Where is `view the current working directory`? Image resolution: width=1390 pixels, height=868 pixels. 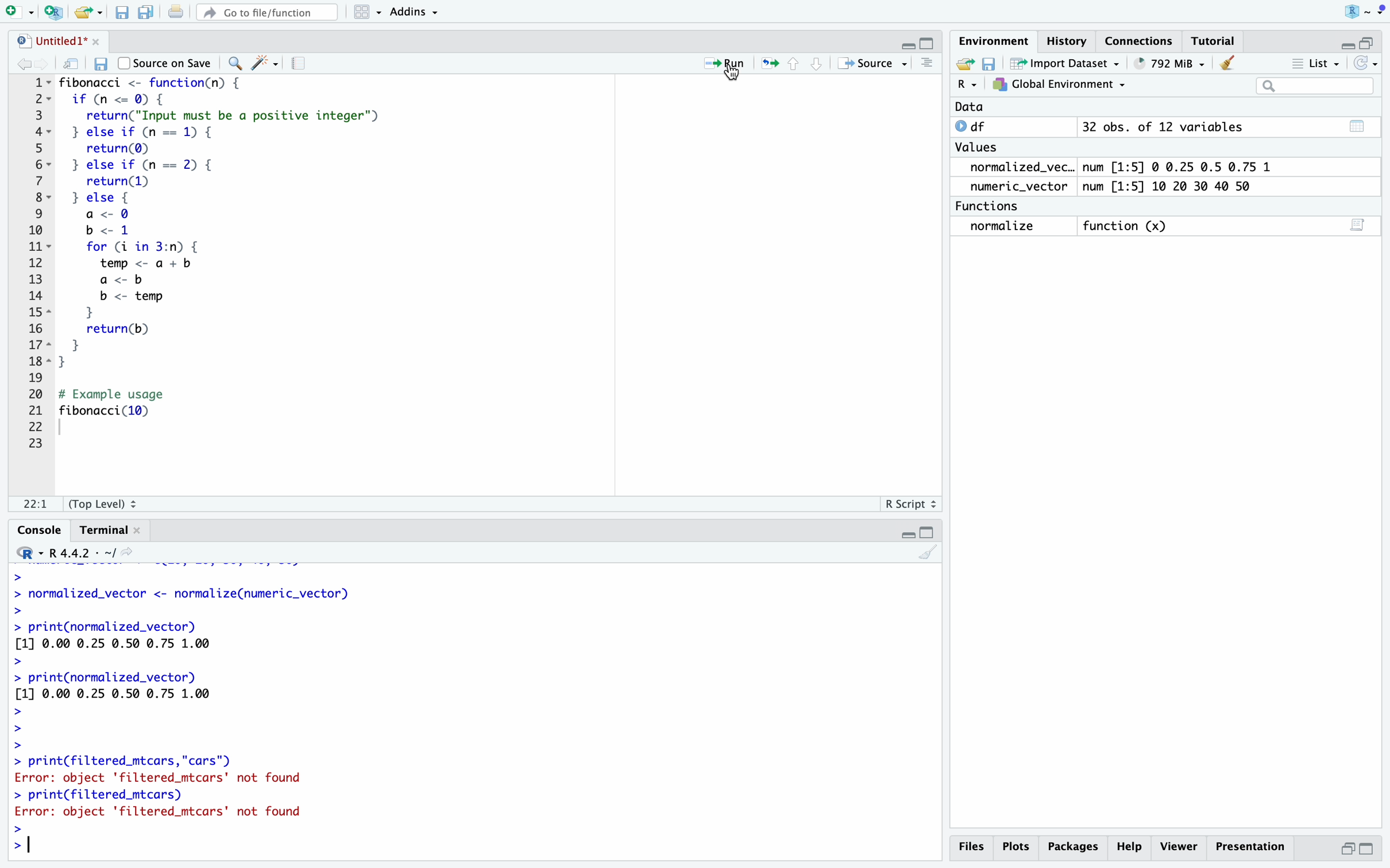
view the current working directory is located at coordinates (132, 556).